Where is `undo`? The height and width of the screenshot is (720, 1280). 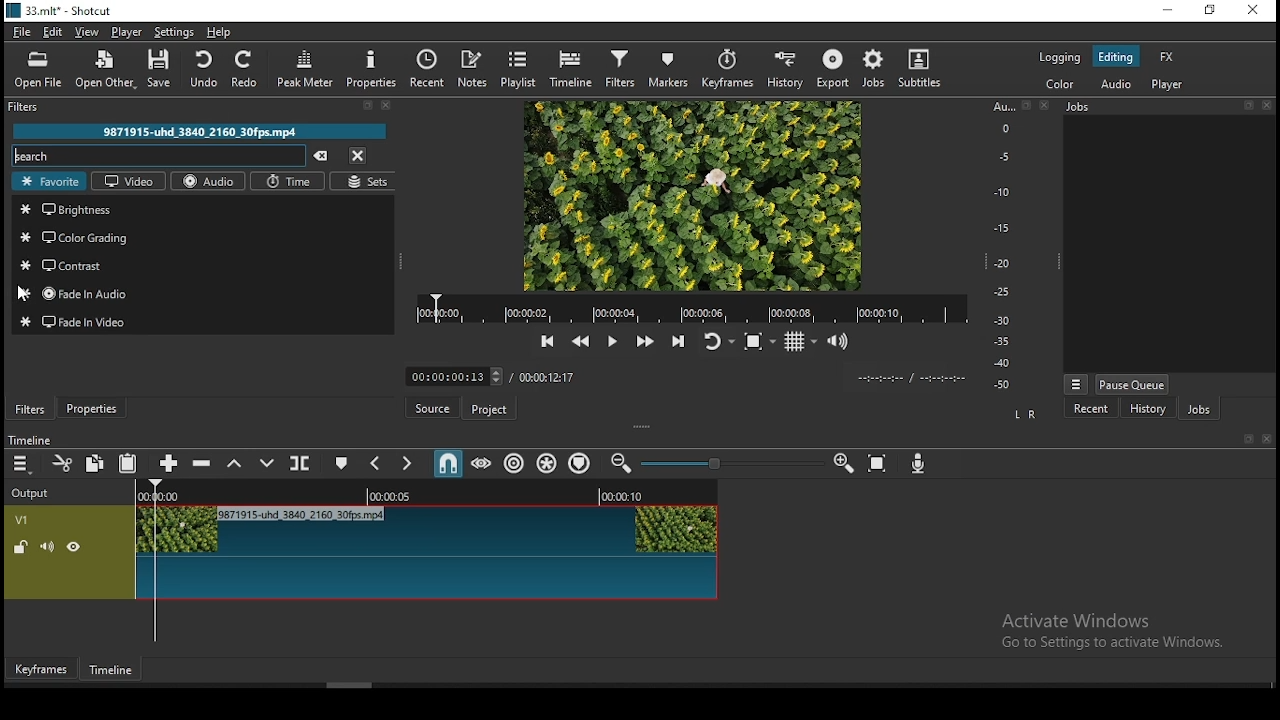
undo is located at coordinates (202, 72).